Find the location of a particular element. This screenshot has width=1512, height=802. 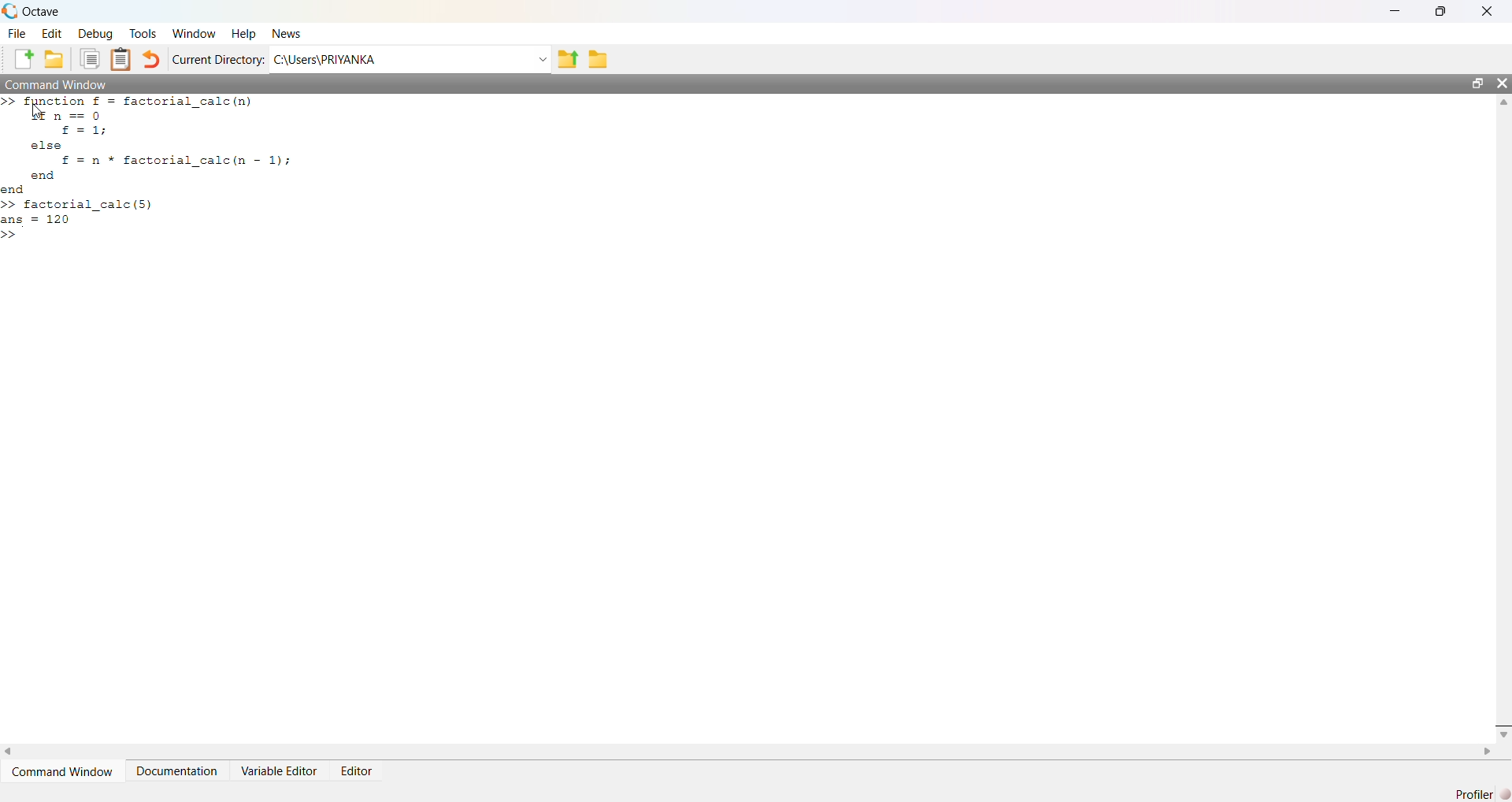

scroll right is located at coordinates (1488, 752).